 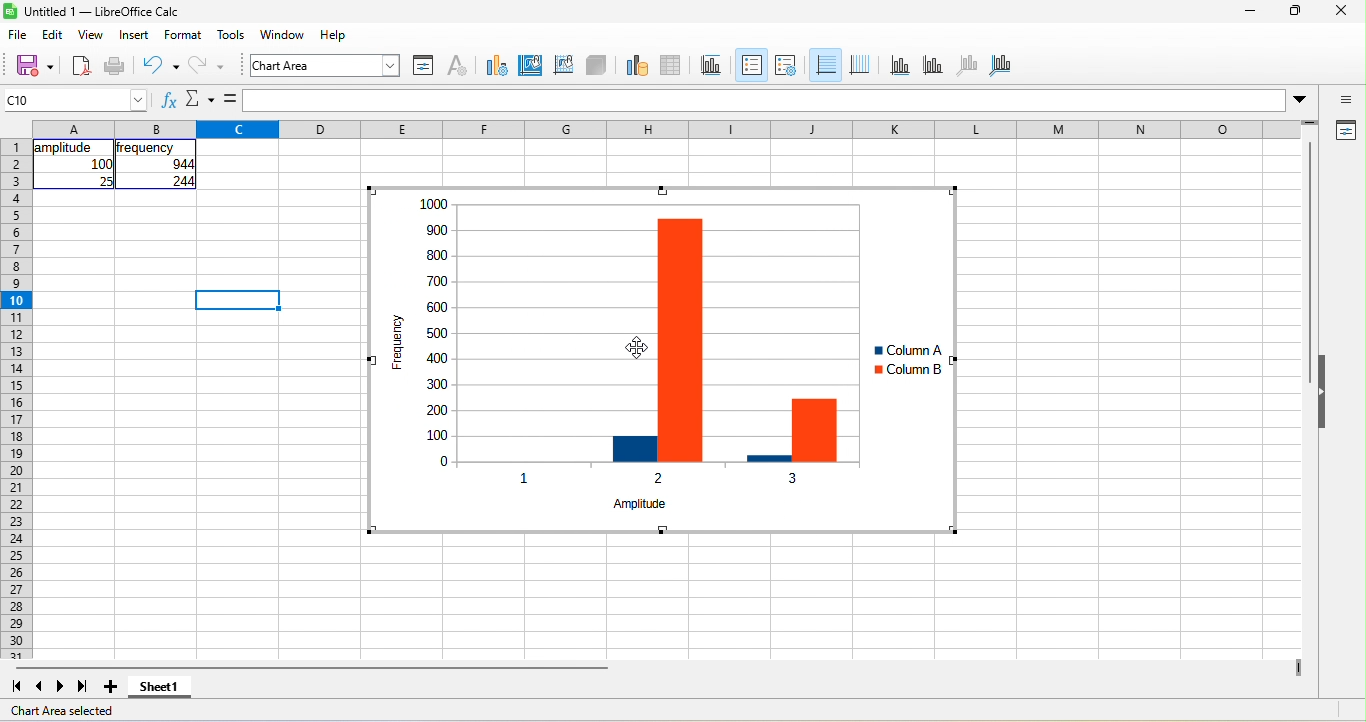 What do you see at coordinates (92, 34) in the screenshot?
I see `view` at bounding box center [92, 34].